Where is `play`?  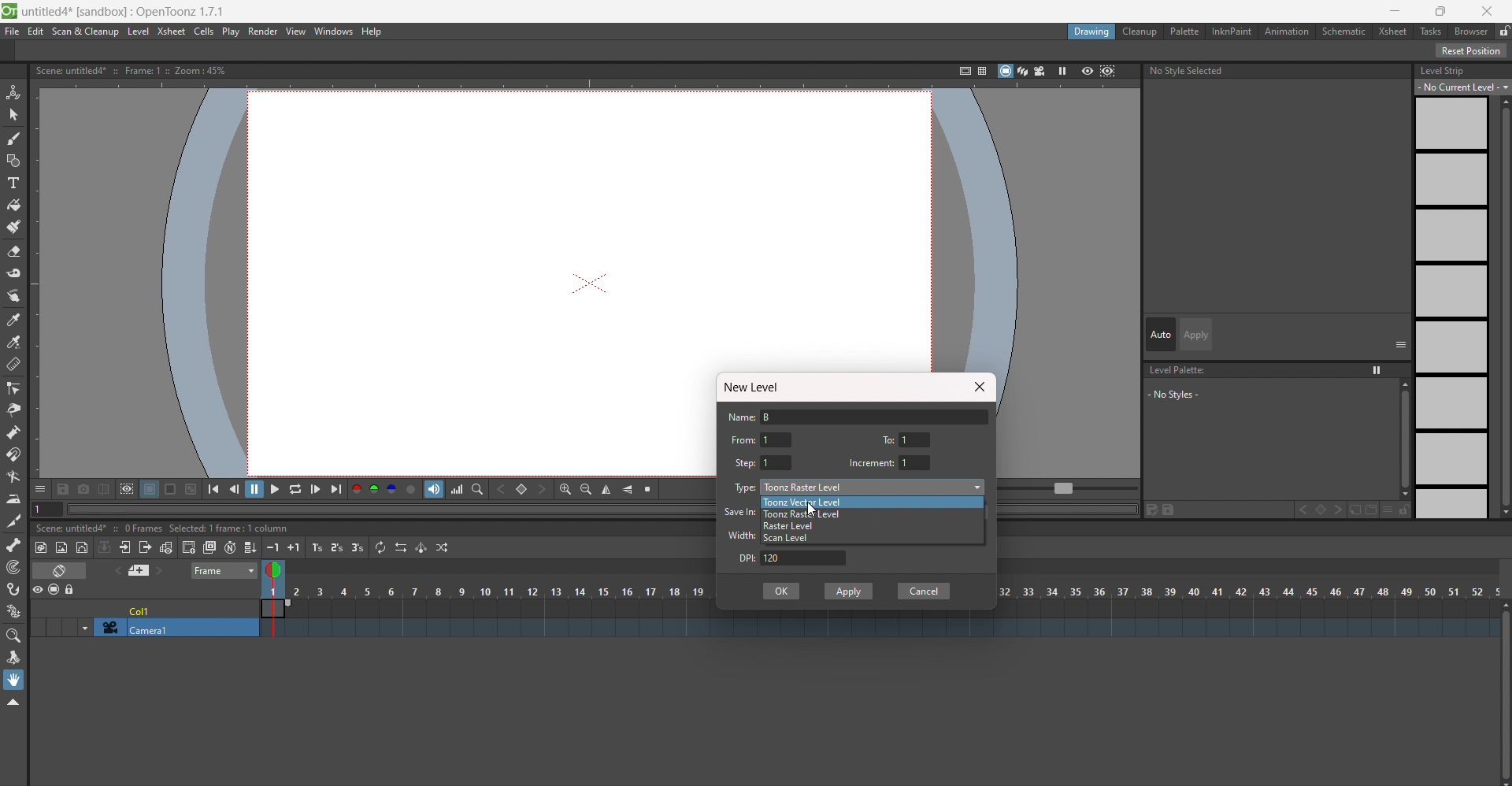
play is located at coordinates (274, 488).